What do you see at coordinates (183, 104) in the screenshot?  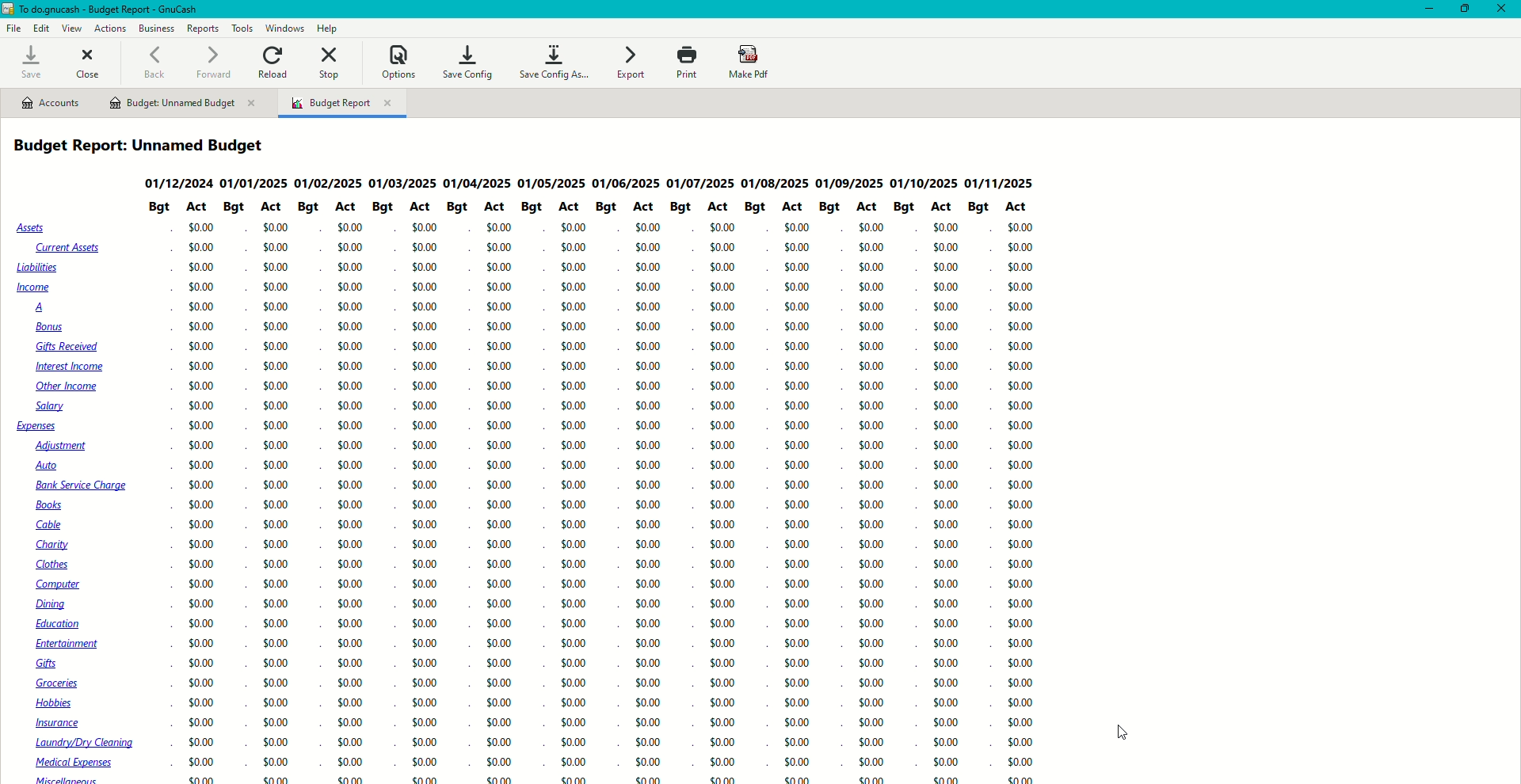 I see `Unnamed Budget` at bounding box center [183, 104].